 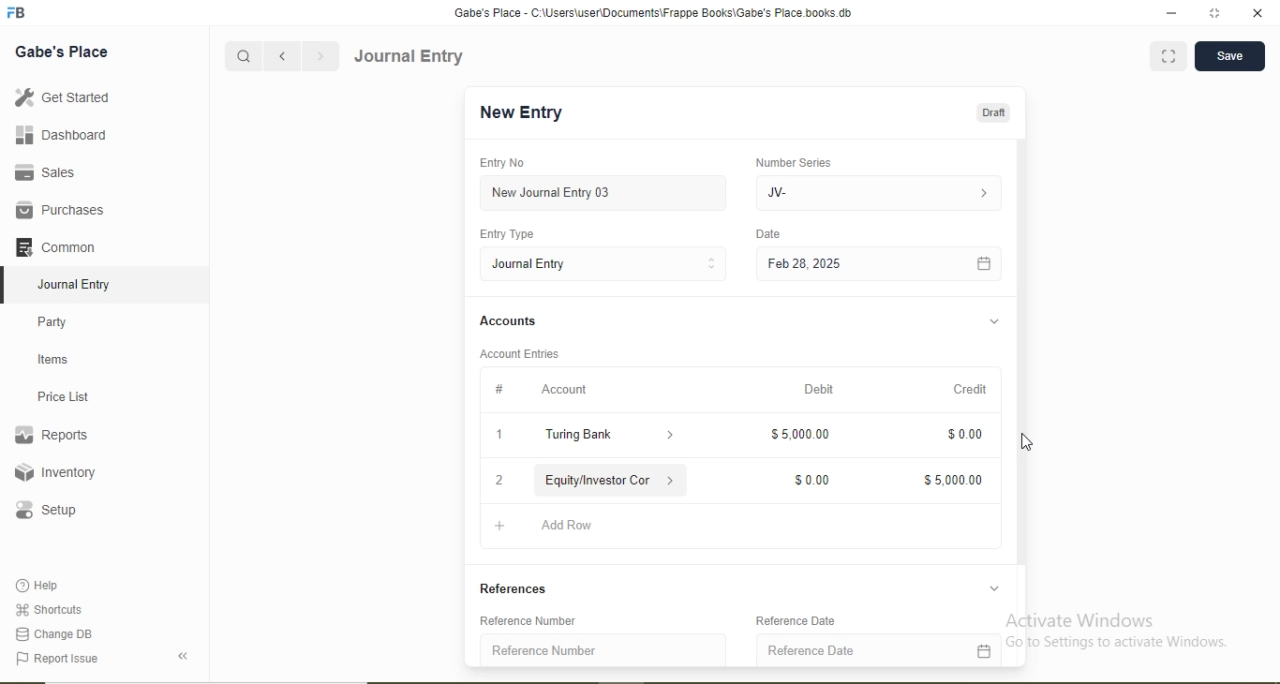 What do you see at coordinates (712, 264) in the screenshot?
I see `Stepper Buttons` at bounding box center [712, 264].